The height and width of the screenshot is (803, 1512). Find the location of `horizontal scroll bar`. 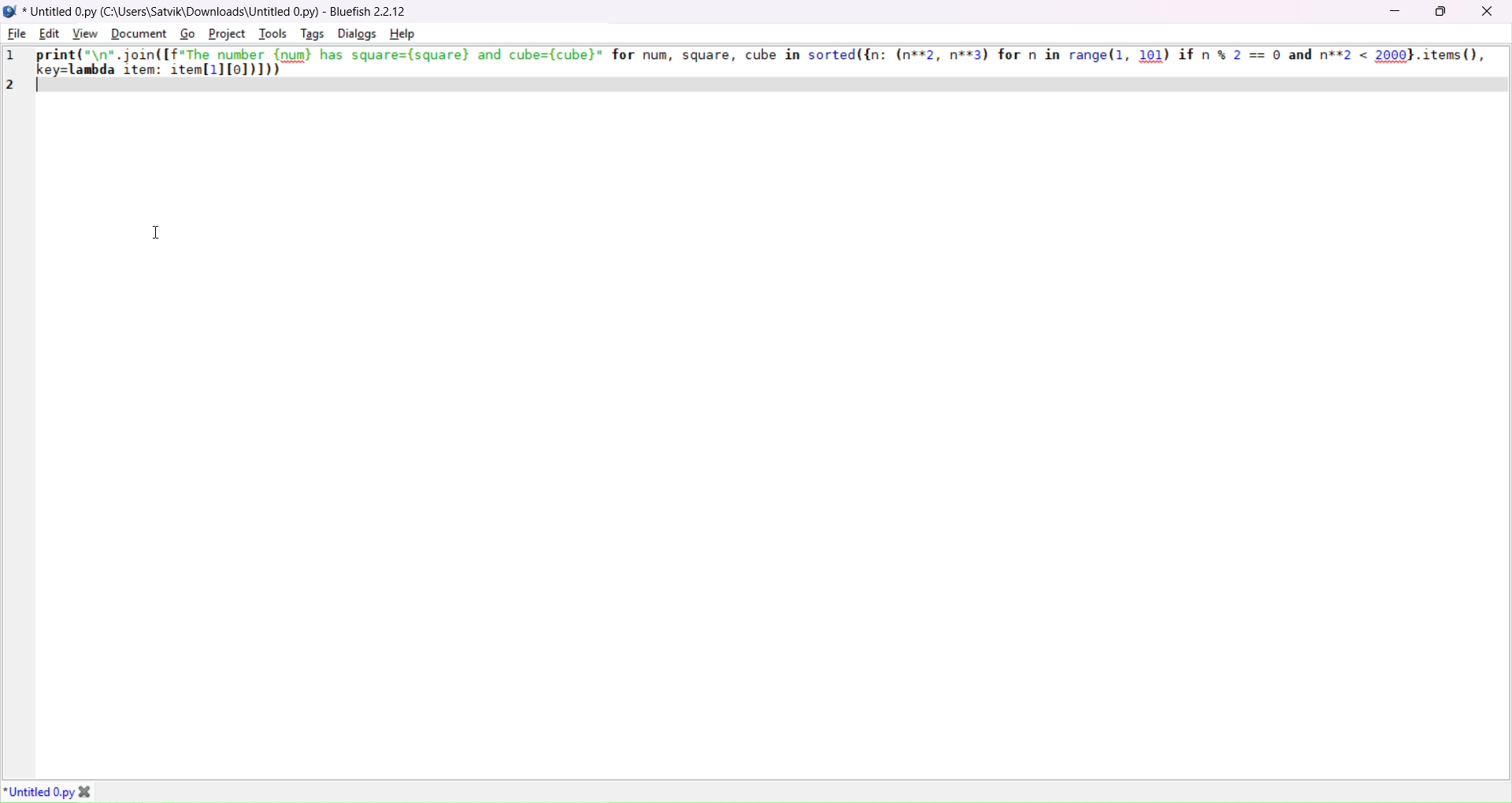

horizontal scroll bar is located at coordinates (810, 781).